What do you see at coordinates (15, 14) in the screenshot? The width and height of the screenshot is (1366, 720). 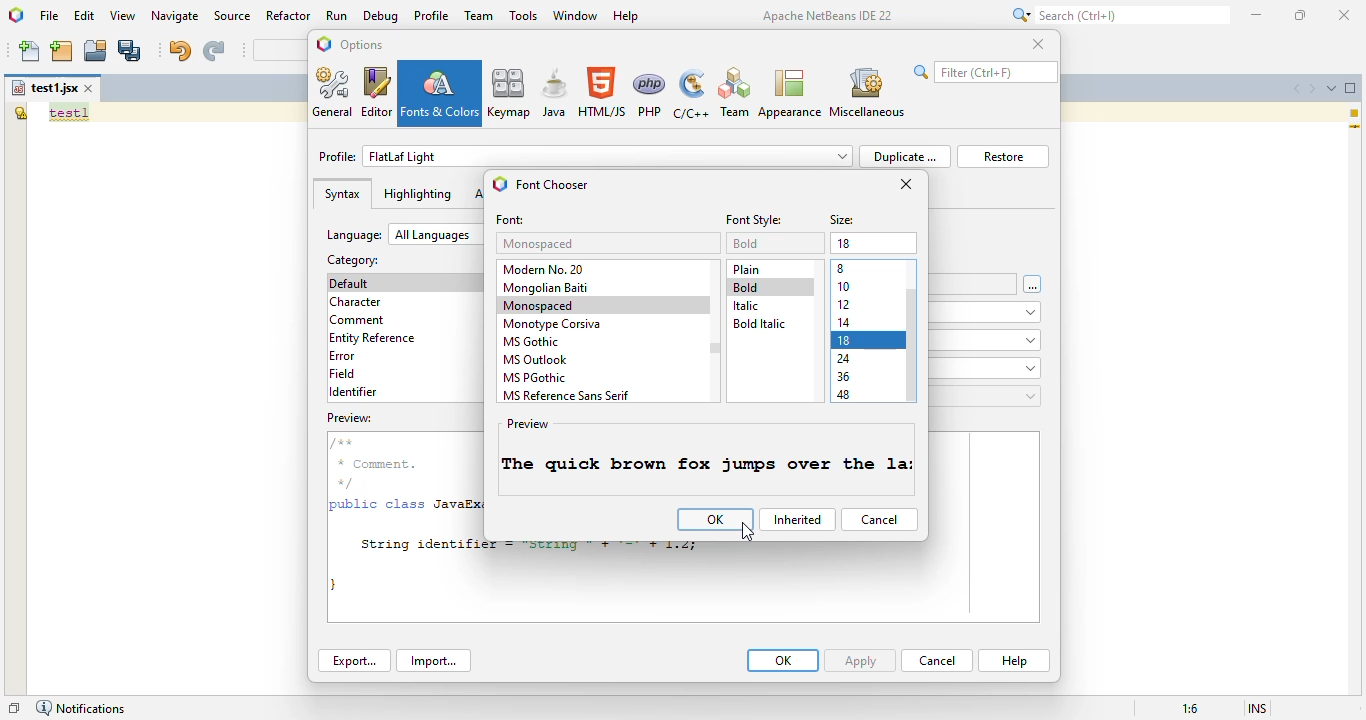 I see `logo` at bounding box center [15, 14].